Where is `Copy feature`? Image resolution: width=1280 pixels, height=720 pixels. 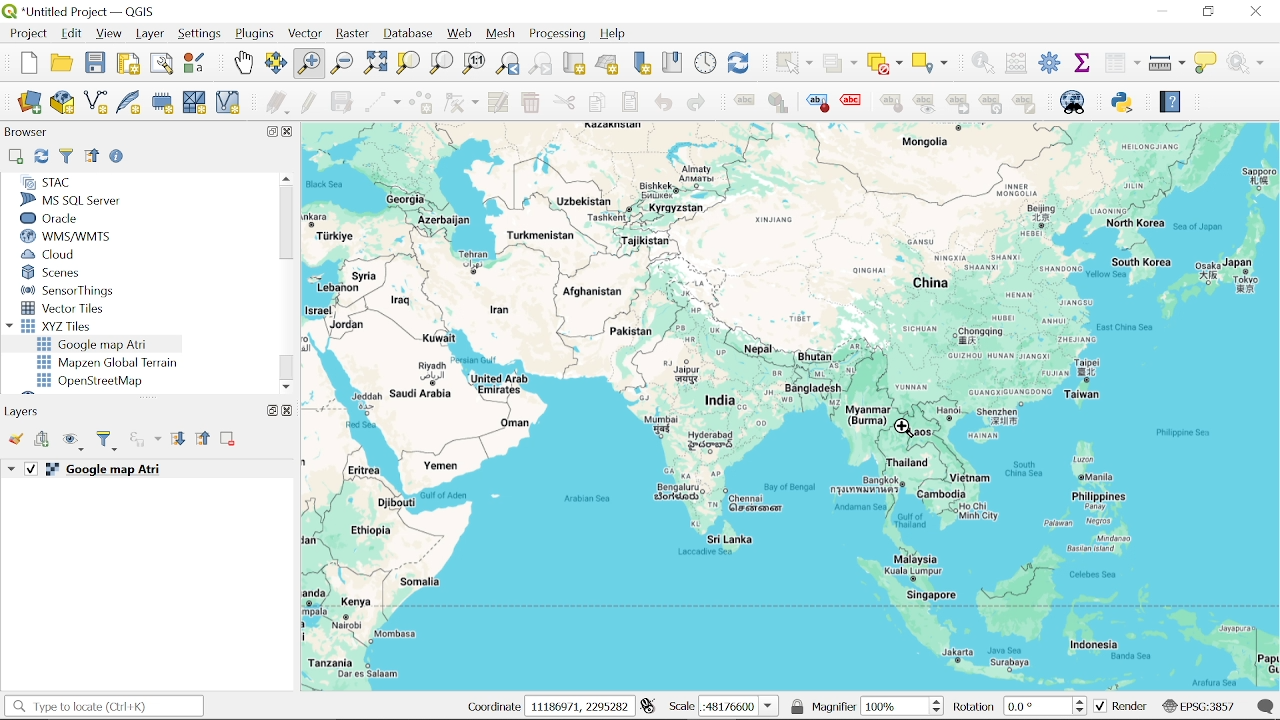 Copy feature is located at coordinates (596, 103).